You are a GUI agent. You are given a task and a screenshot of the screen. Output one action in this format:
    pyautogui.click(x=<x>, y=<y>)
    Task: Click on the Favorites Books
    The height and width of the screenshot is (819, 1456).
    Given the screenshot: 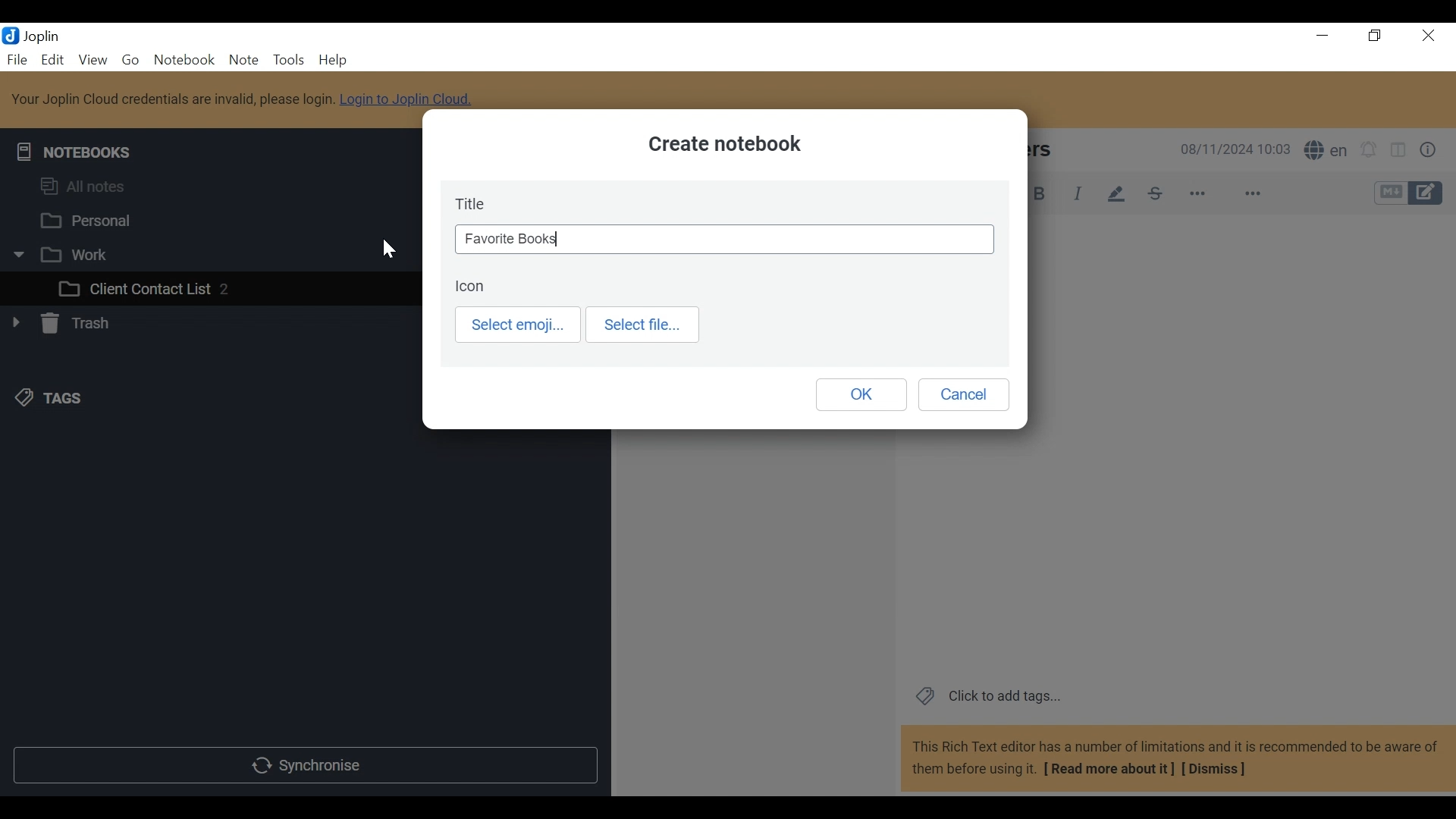 What is the action you would take?
    pyautogui.click(x=726, y=238)
    